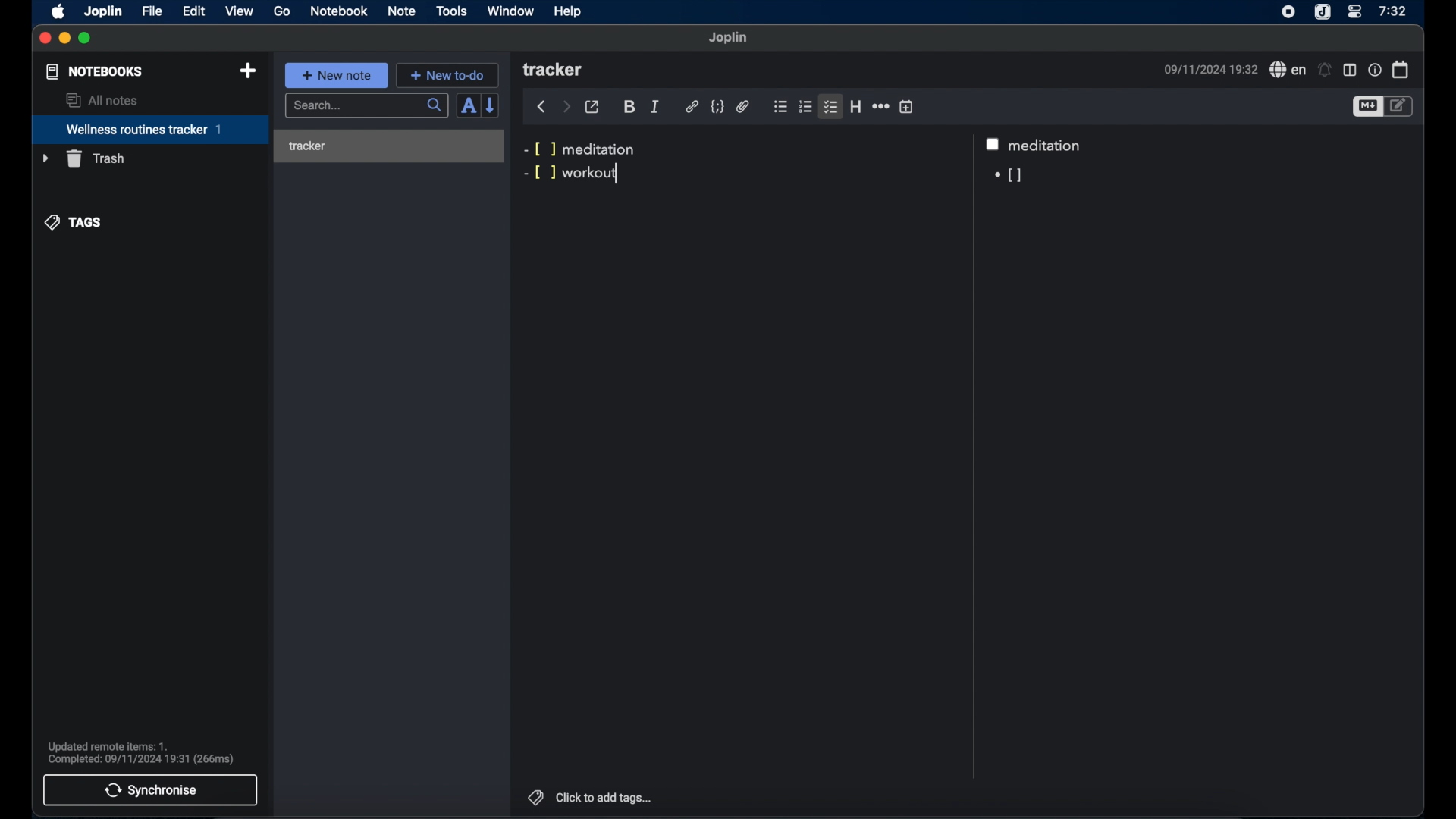 The image size is (1456, 819). What do you see at coordinates (83, 158) in the screenshot?
I see `trash` at bounding box center [83, 158].